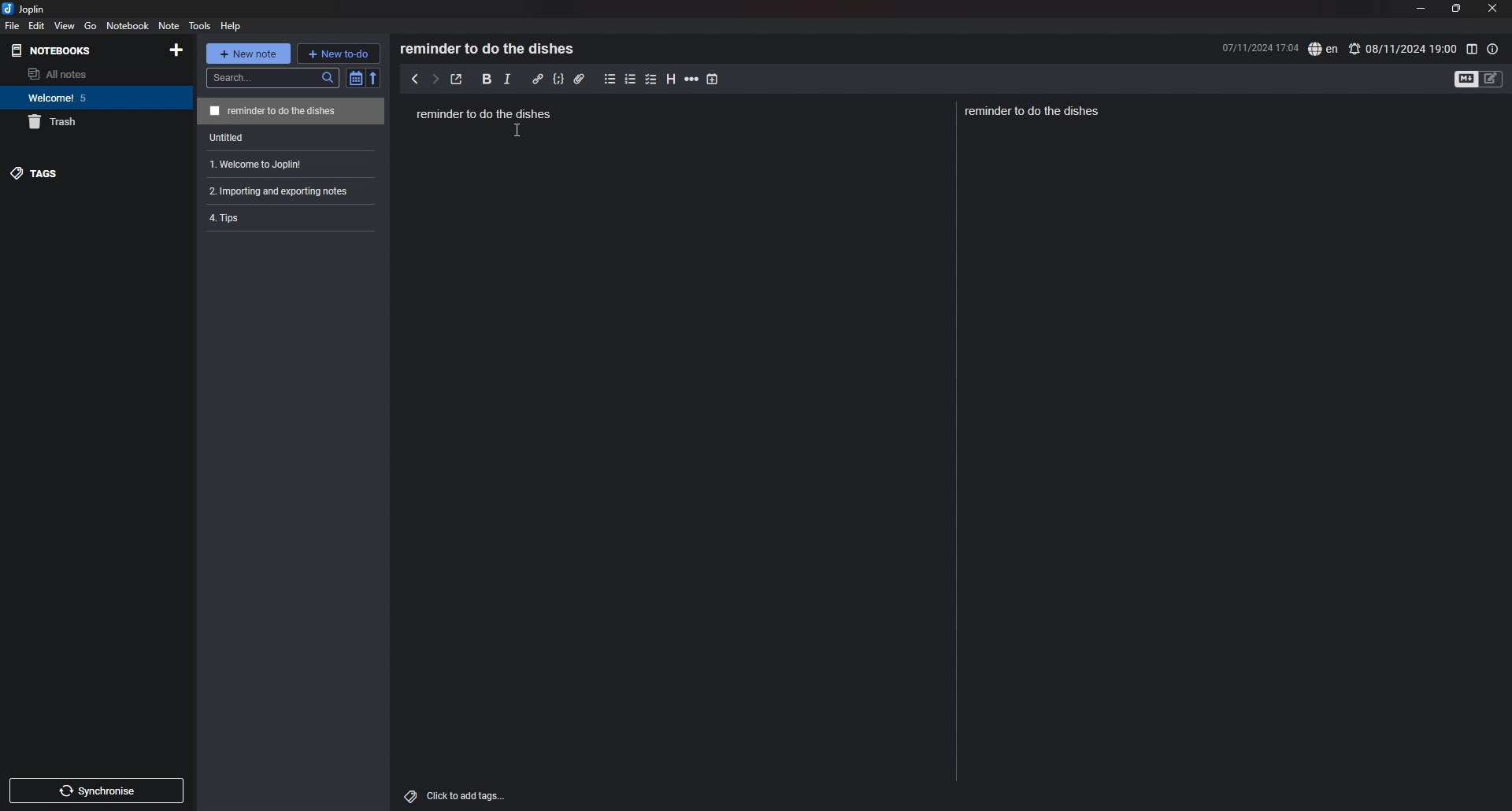  I want to click on horizontal rule, so click(693, 79).